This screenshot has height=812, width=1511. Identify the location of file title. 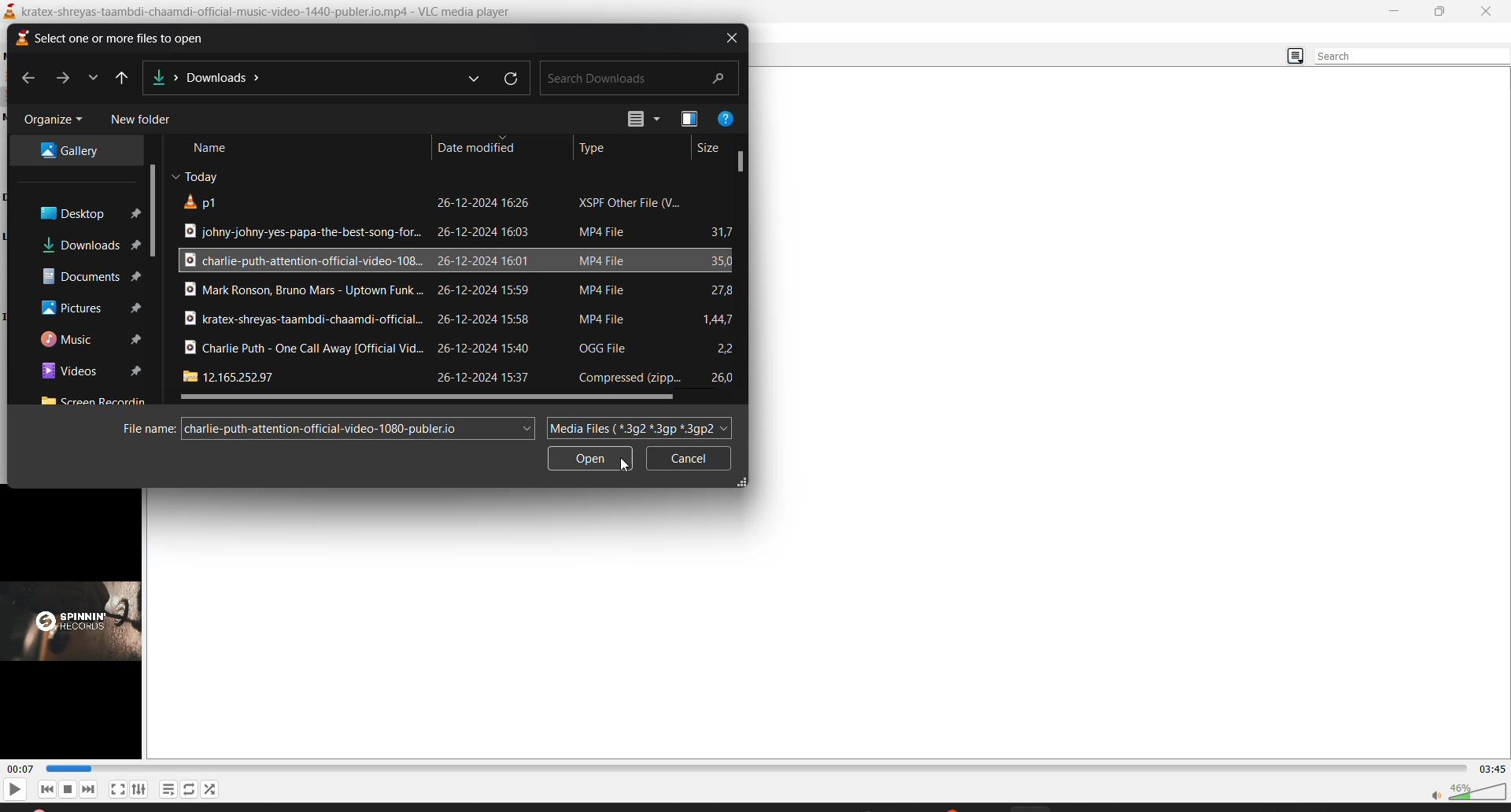
(305, 292).